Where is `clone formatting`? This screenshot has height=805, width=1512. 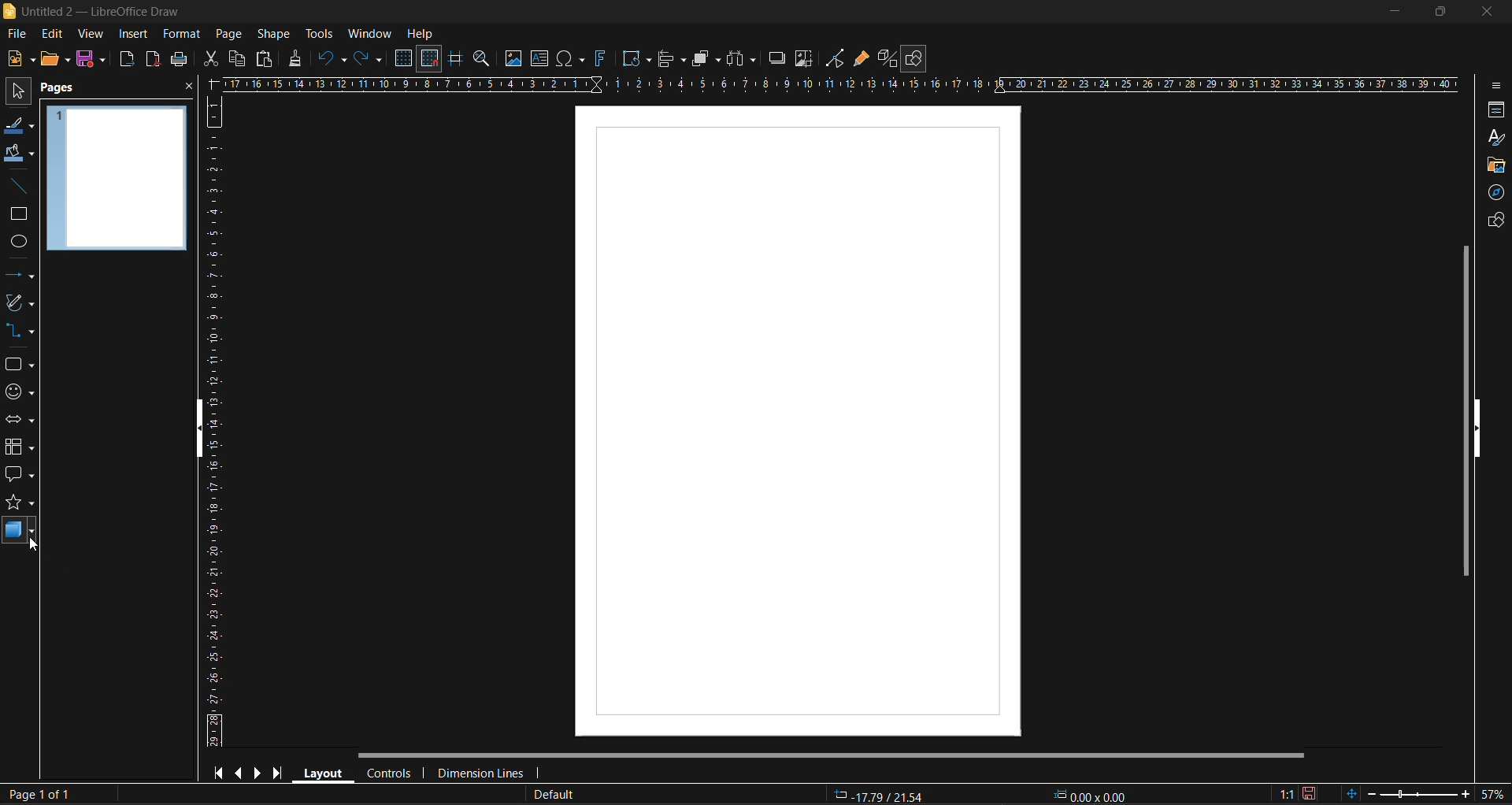 clone formatting is located at coordinates (296, 58).